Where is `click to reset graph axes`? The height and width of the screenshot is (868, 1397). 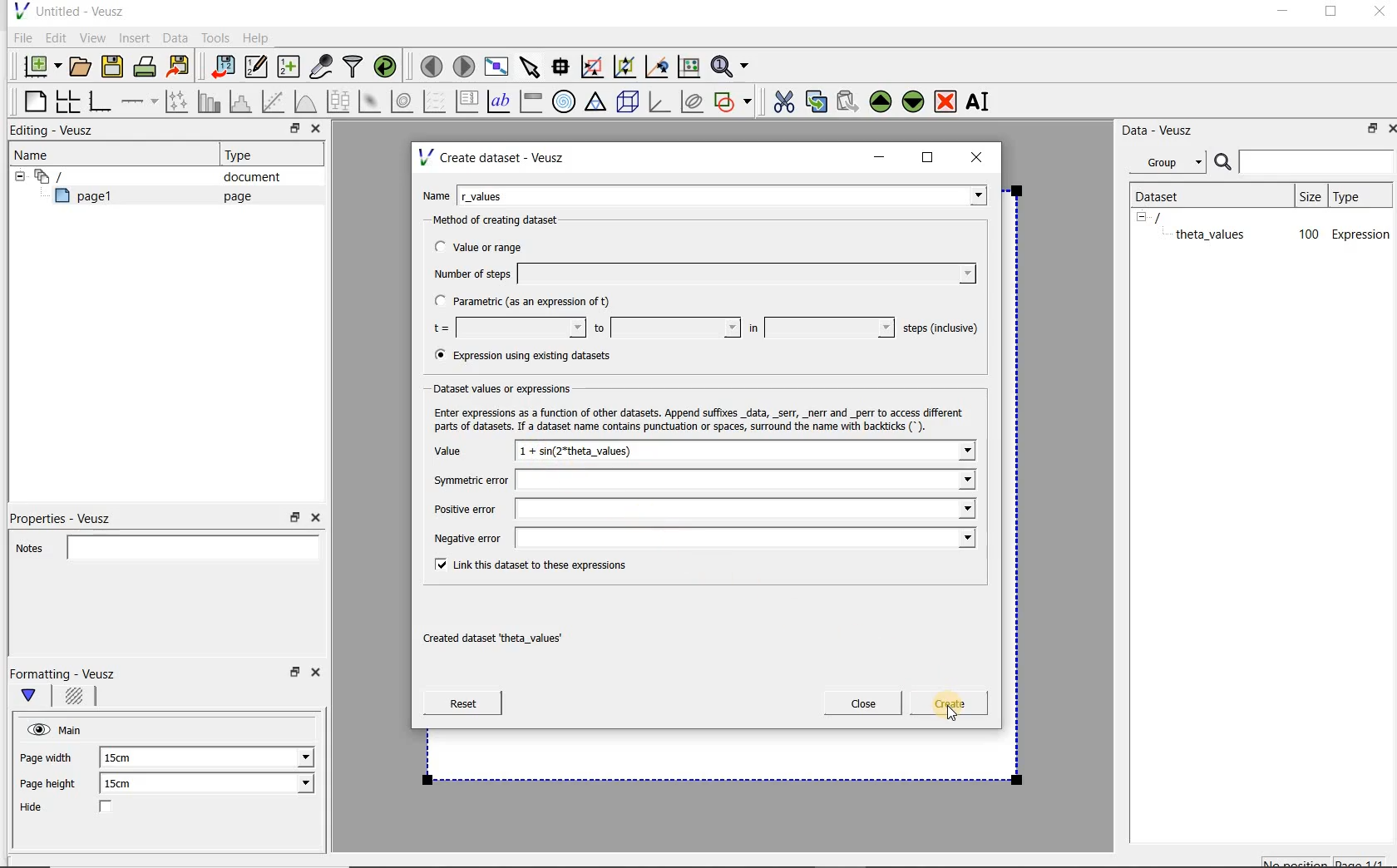
click to reset graph axes is located at coordinates (689, 66).